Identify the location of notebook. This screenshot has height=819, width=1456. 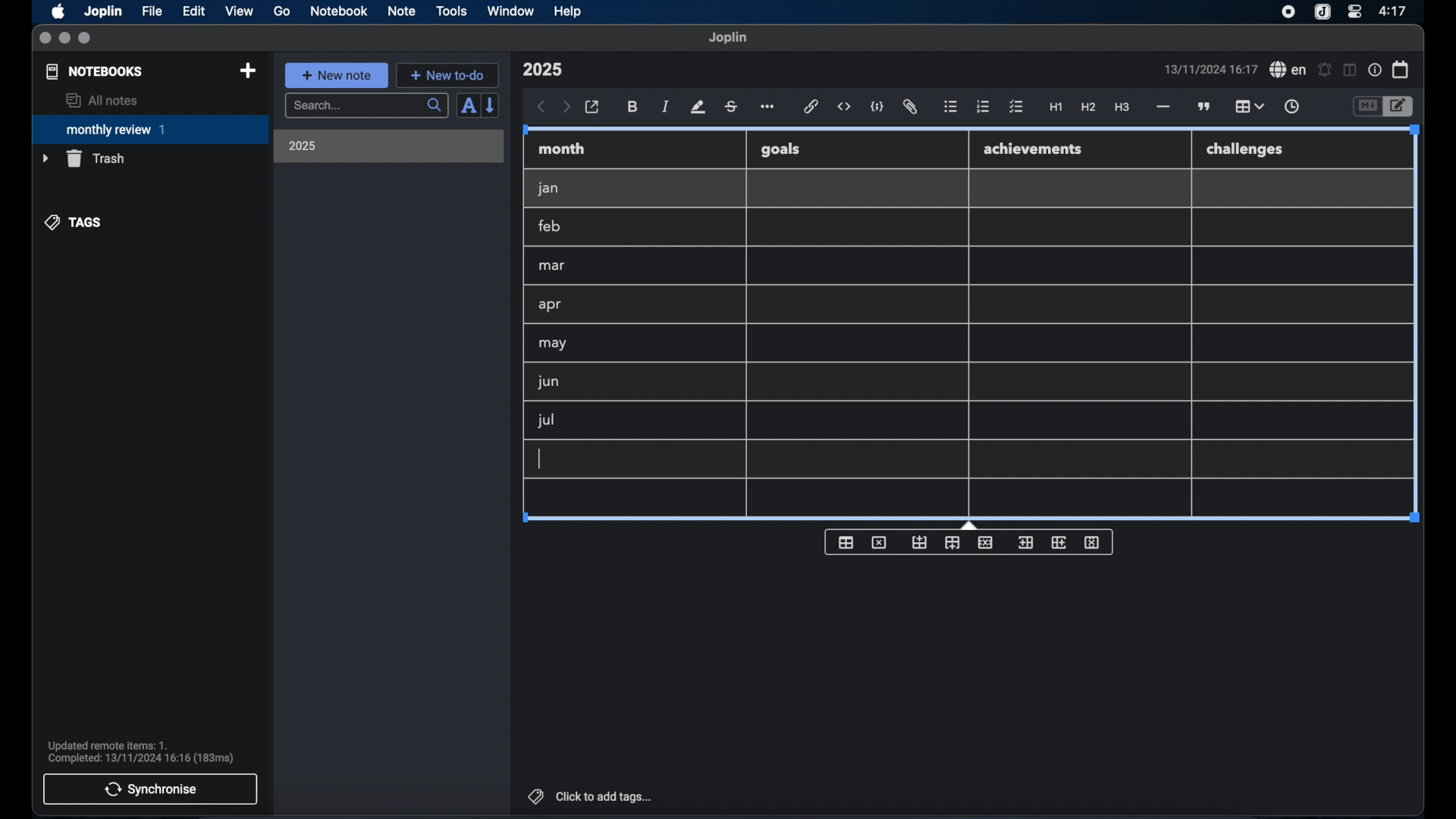
(339, 11).